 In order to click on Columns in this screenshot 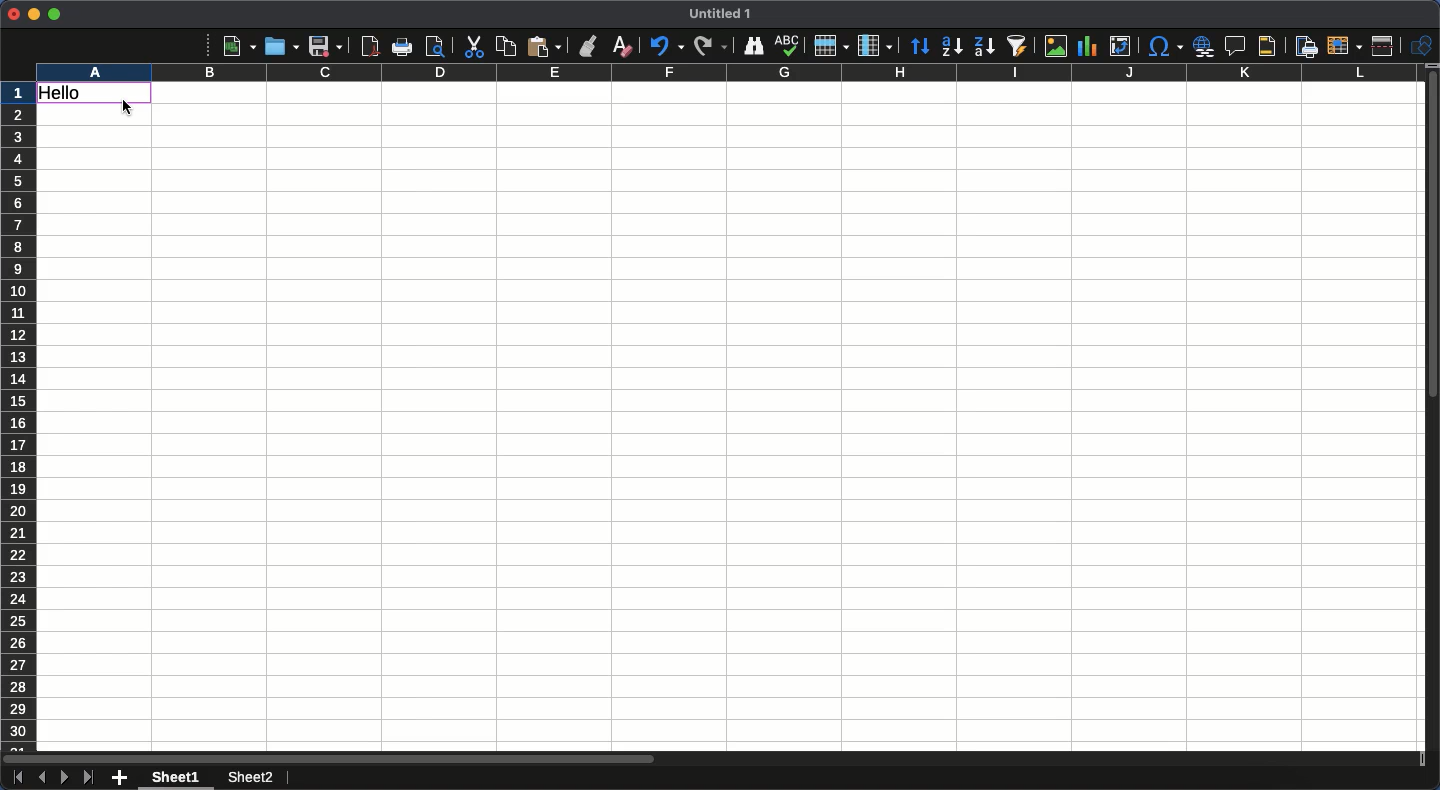, I will do `click(724, 73)`.